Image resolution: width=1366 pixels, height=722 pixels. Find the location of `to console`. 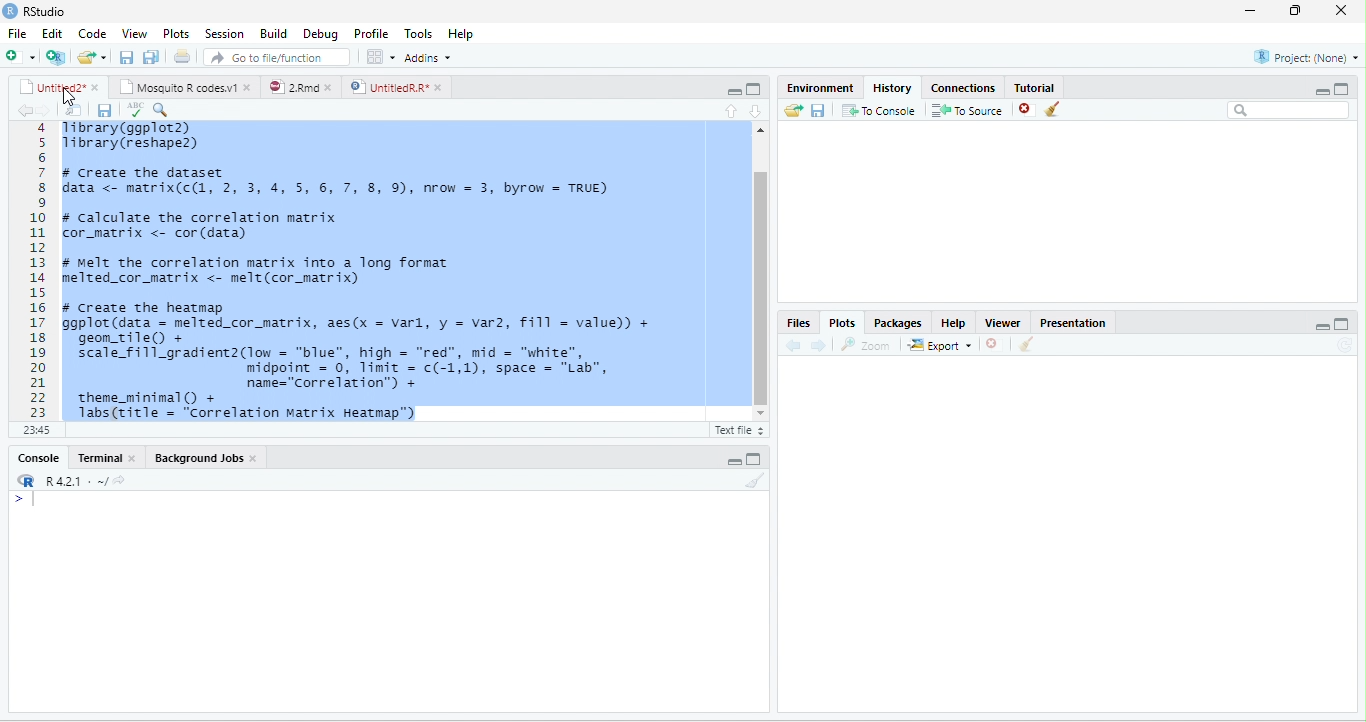

to console is located at coordinates (880, 112).